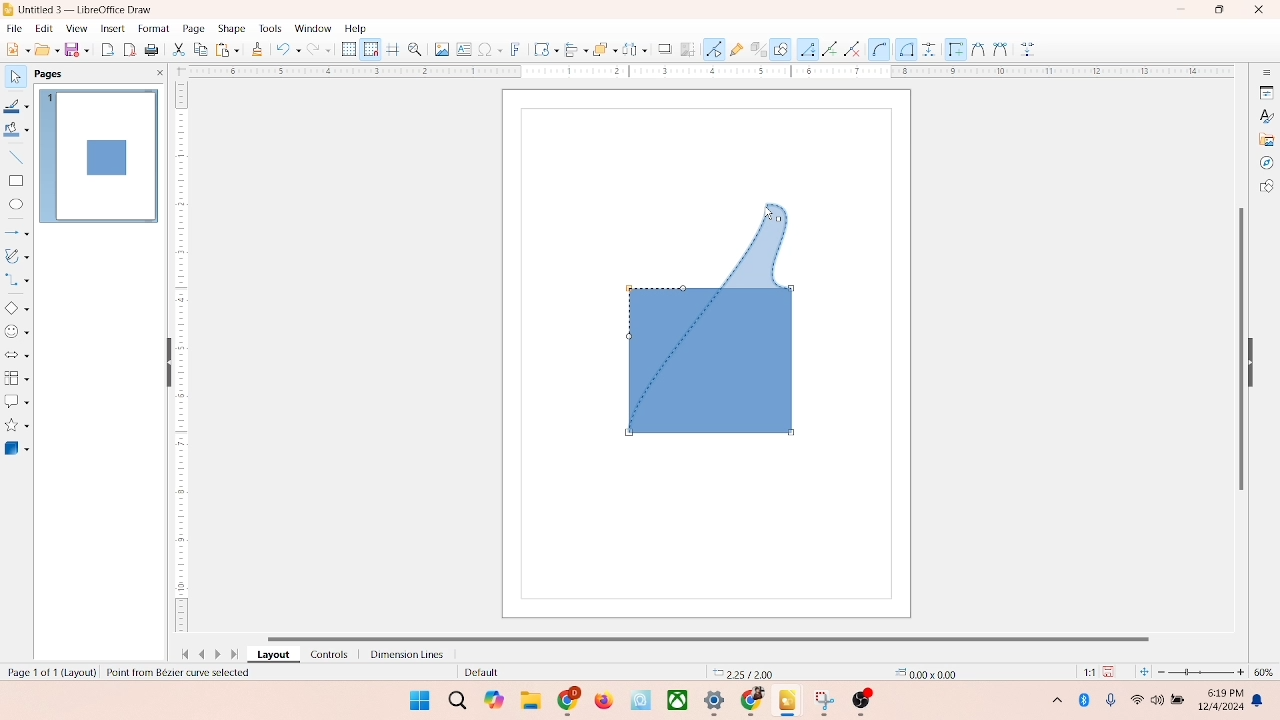  What do you see at coordinates (1160, 700) in the screenshot?
I see `speaker` at bounding box center [1160, 700].